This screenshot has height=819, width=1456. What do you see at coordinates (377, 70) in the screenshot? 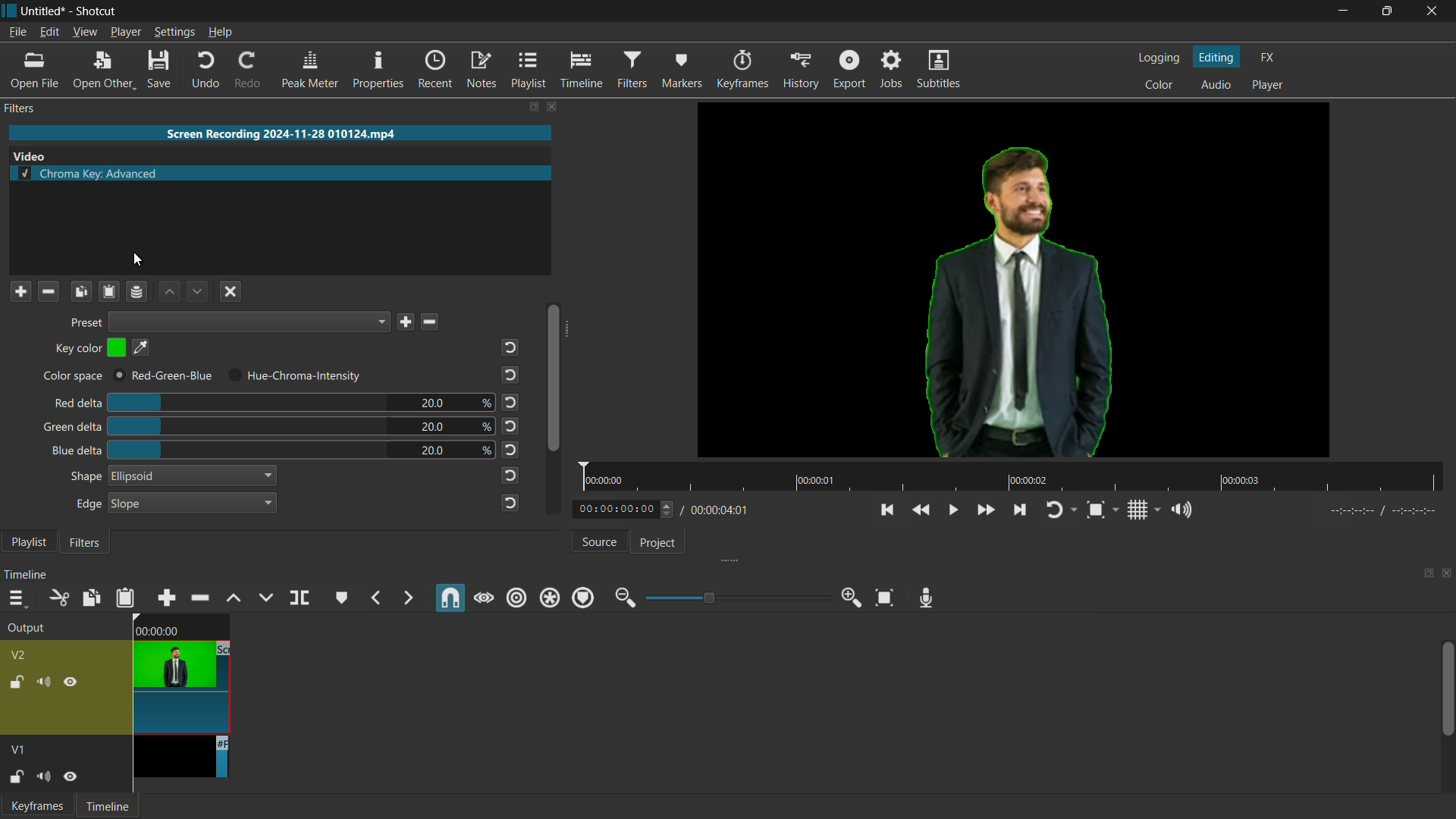
I see `properties` at bounding box center [377, 70].